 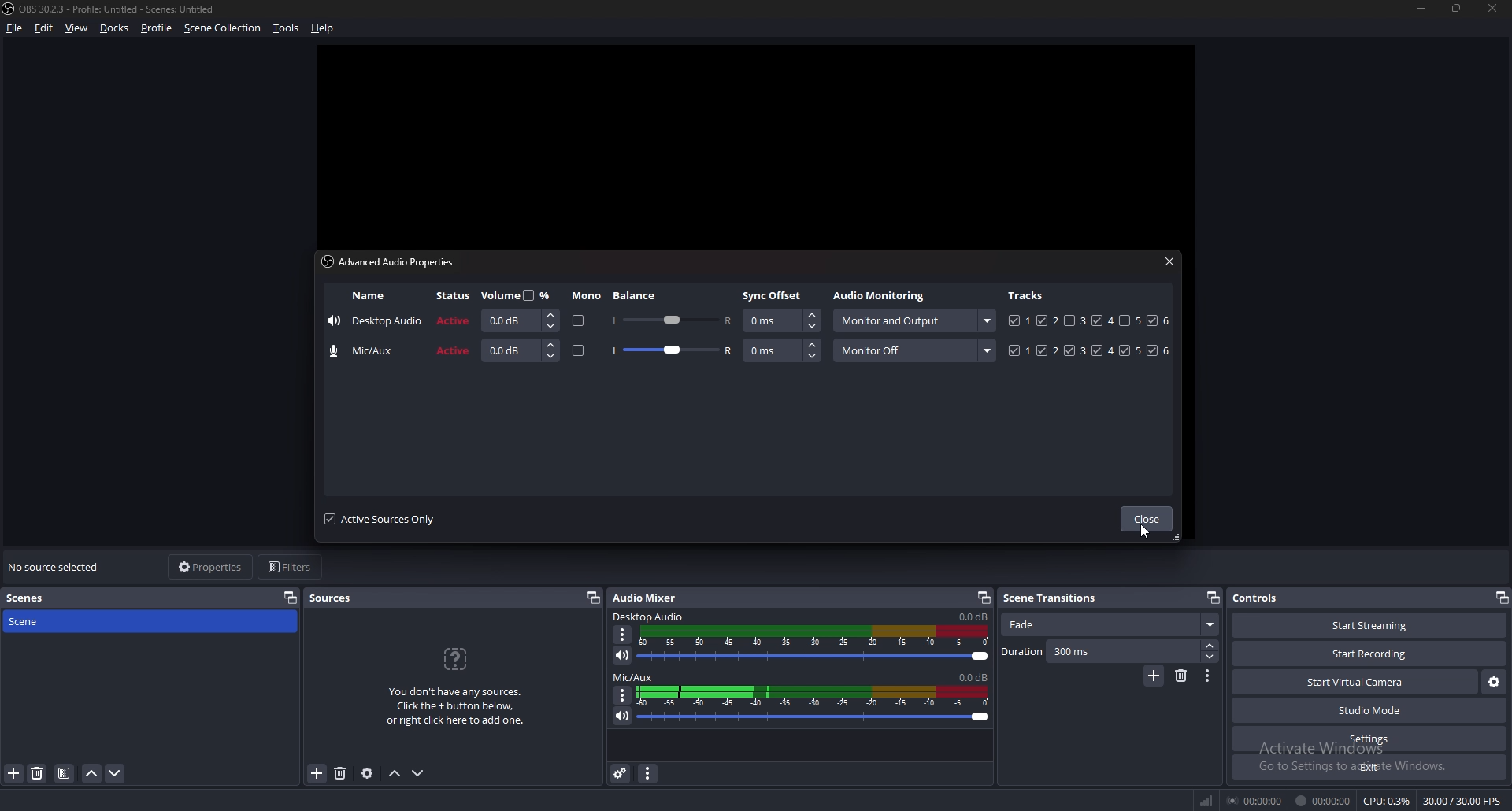 What do you see at coordinates (1145, 532) in the screenshot?
I see `cursor` at bounding box center [1145, 532].